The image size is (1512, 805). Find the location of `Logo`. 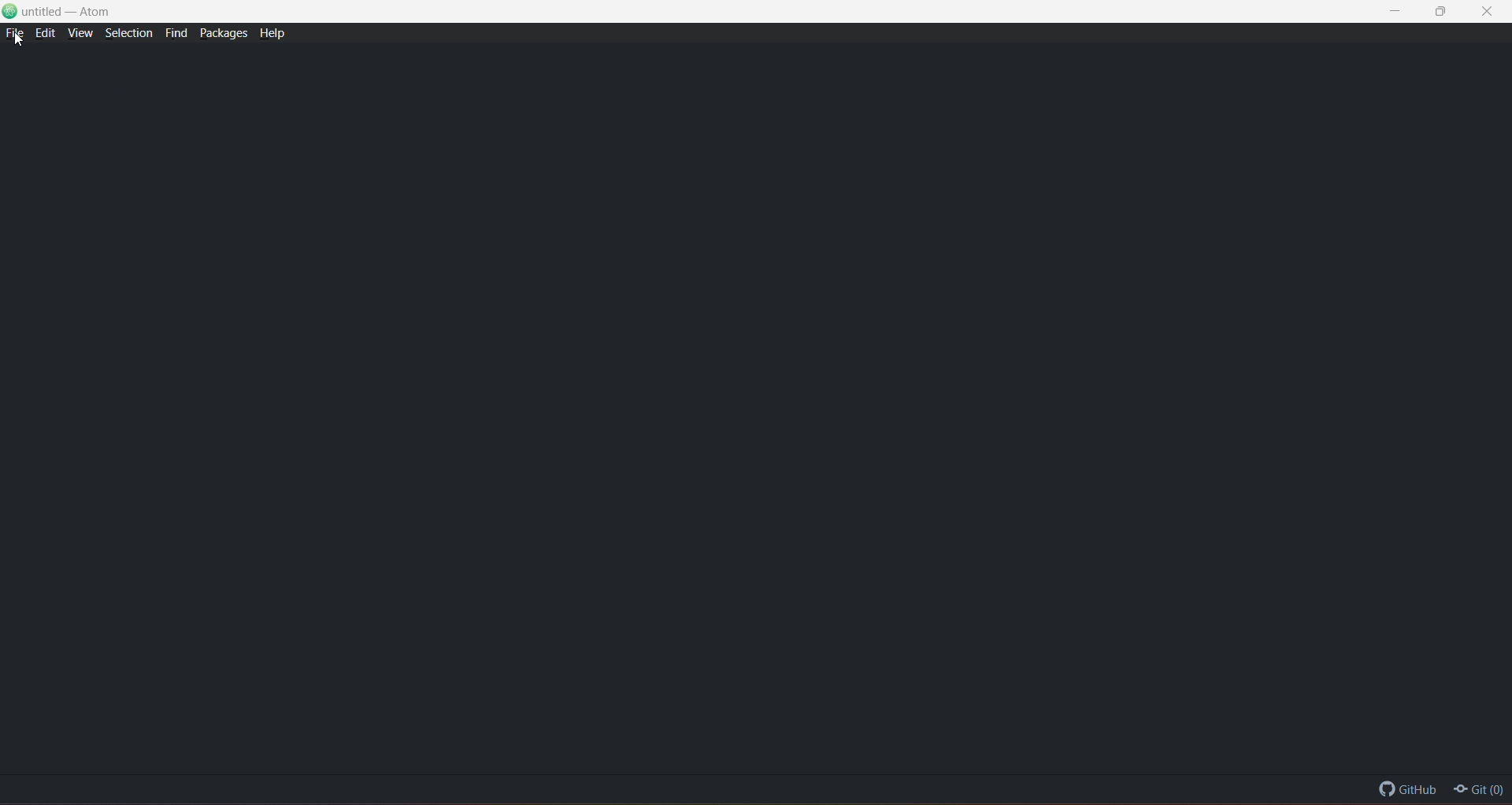

Logo is located at coordinates (10, 11).